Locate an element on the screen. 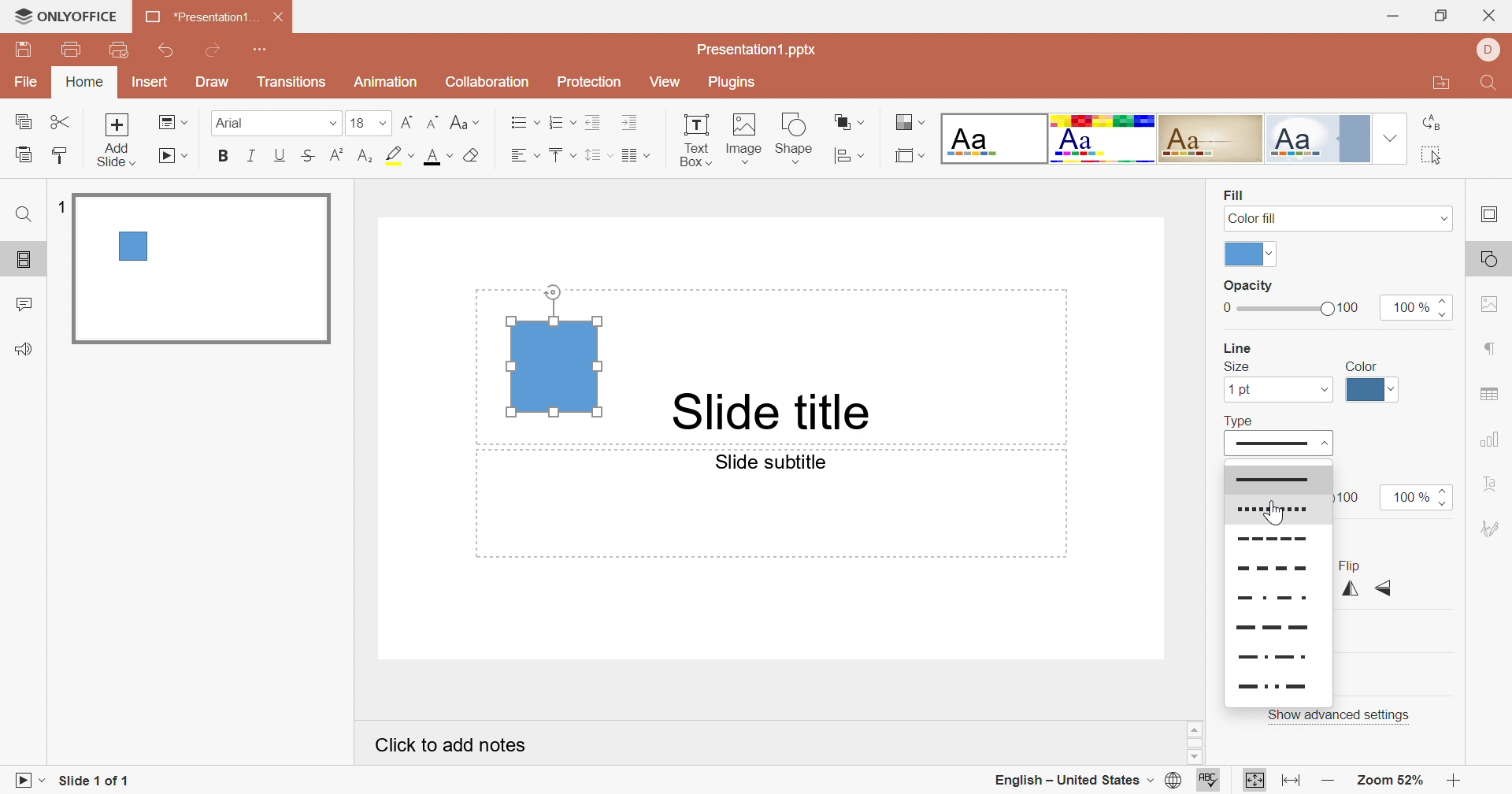 Image resolution: width=1512 pixels, height=794 pixels. Color is located at coordinates (1374, 393).